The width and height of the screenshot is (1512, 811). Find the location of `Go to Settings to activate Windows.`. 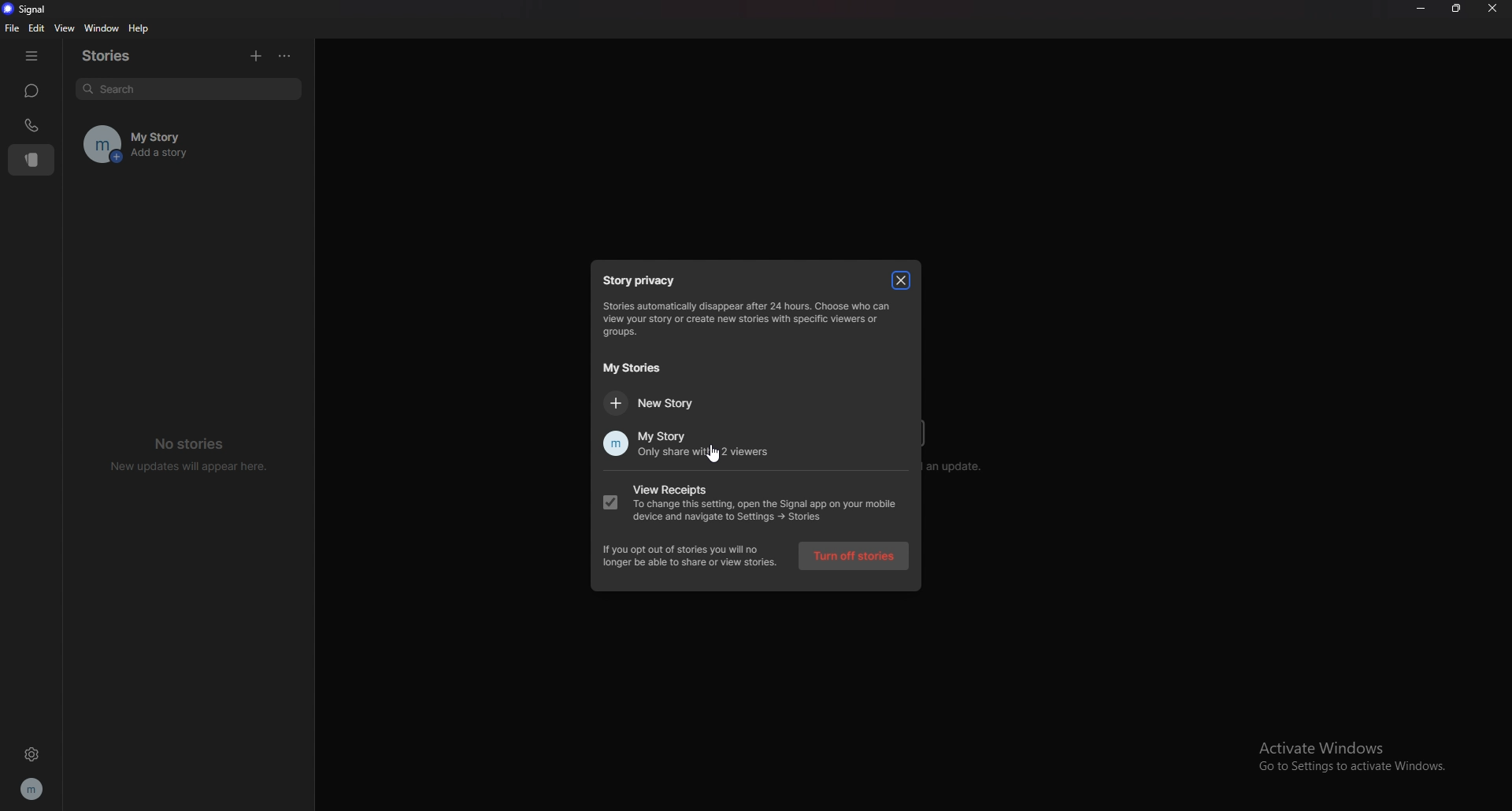

Go to Settings to activate Windows. is located at coordinates (1358, 768).